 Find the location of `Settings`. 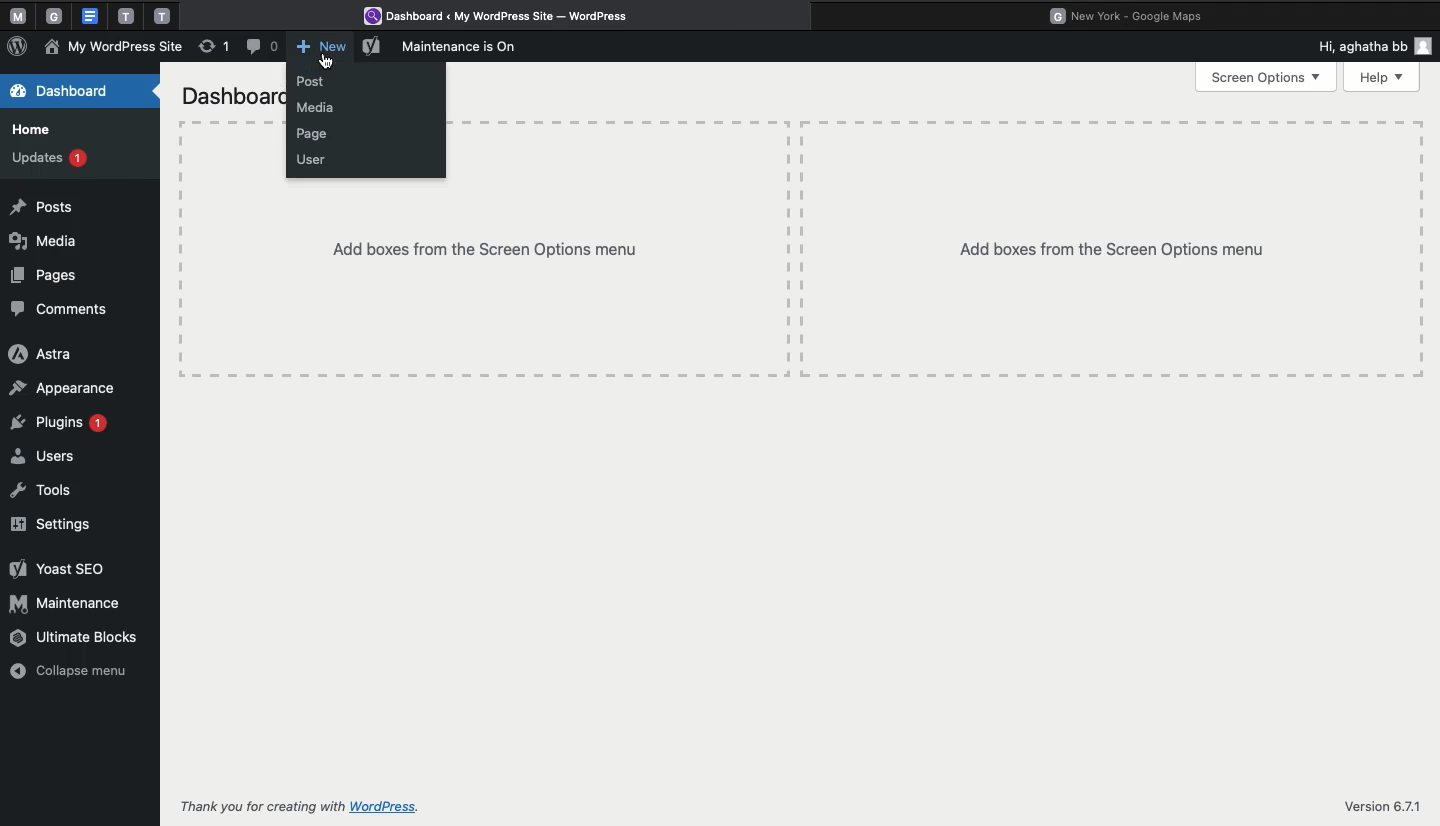

Settings is located at coordinates (57, 525).